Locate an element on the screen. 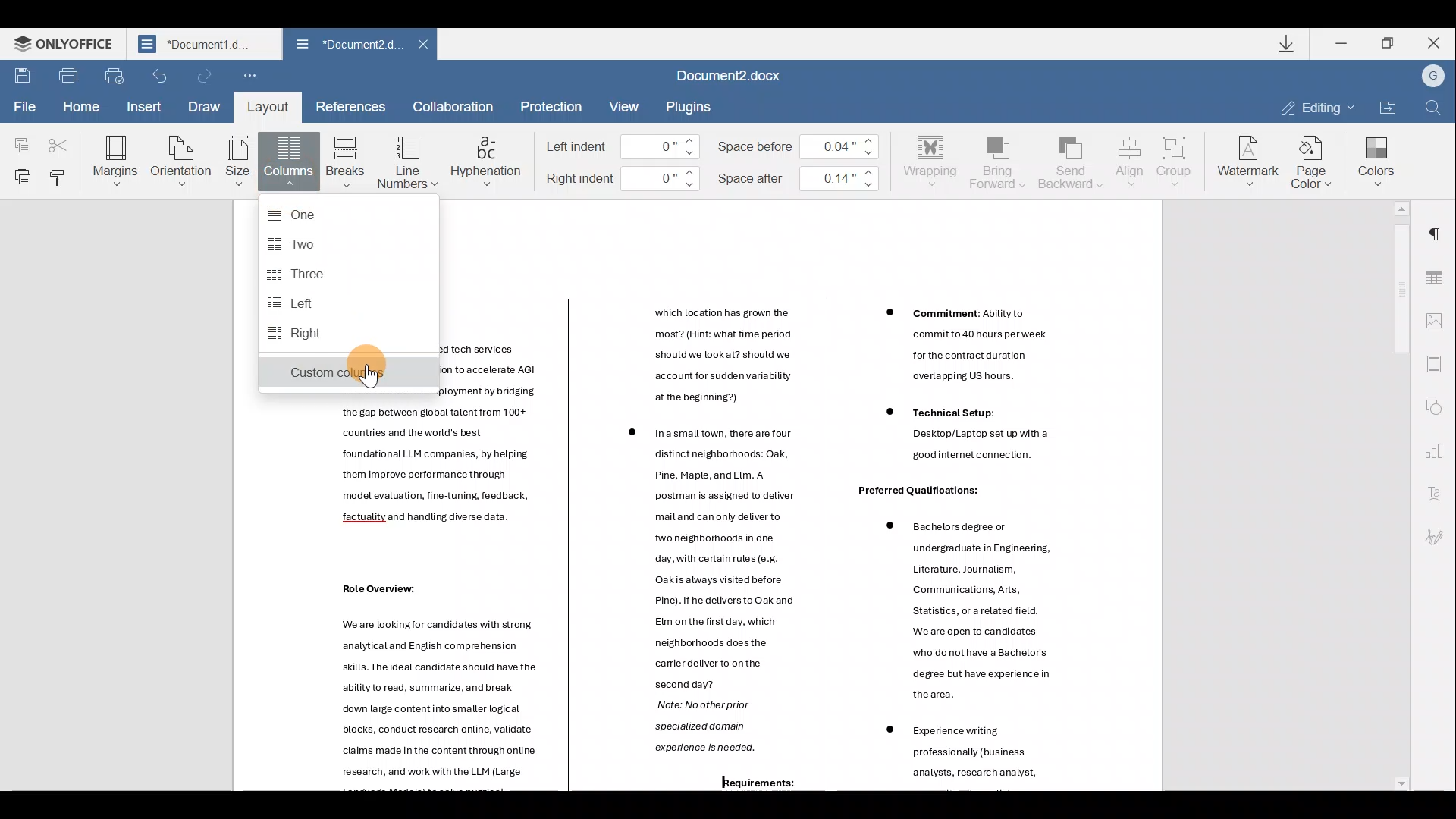 The width and height of the screenshot is (1456, 819).  is located at coordinates (956, 343).